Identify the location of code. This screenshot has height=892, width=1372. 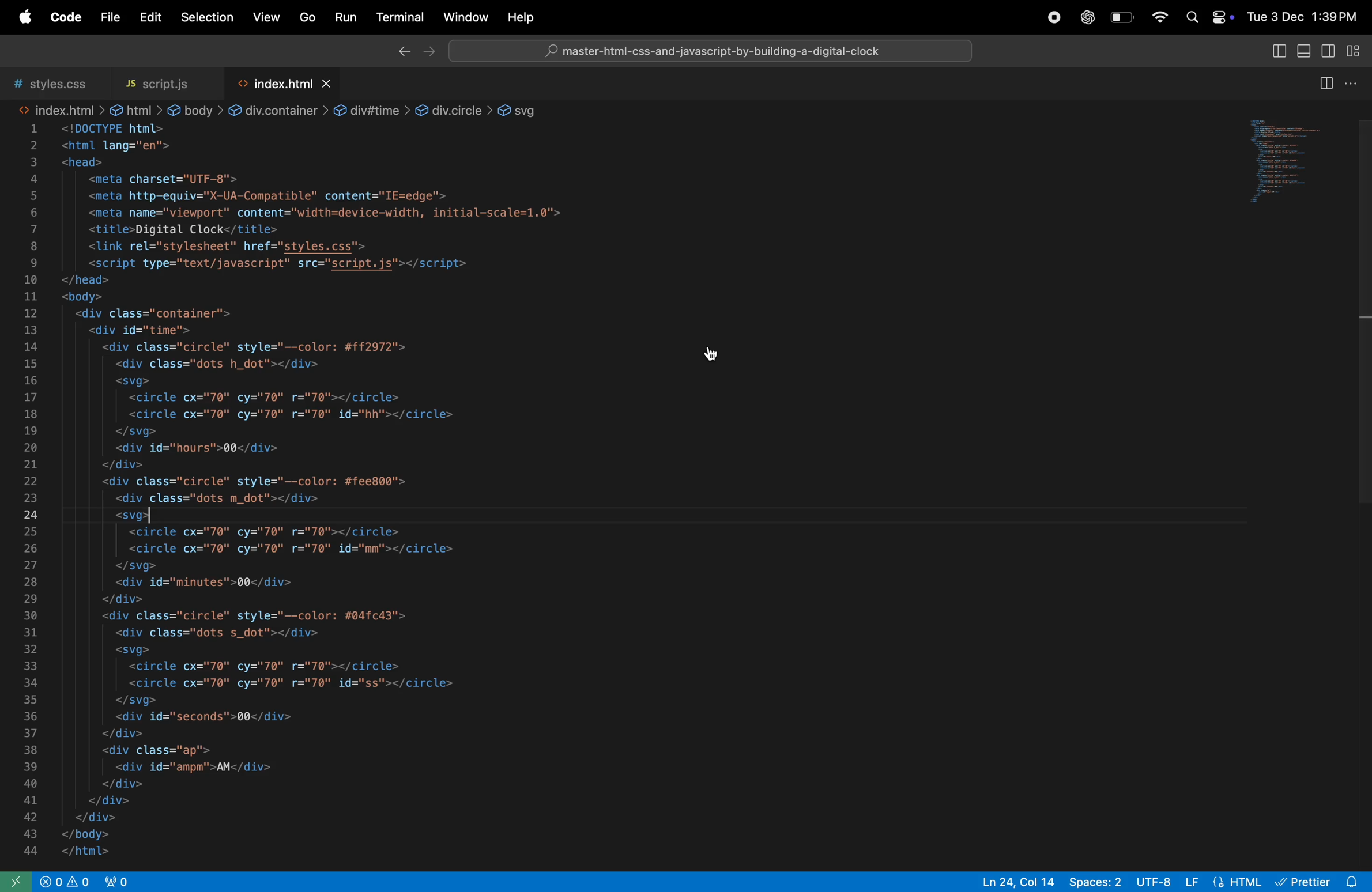
(66, 17).